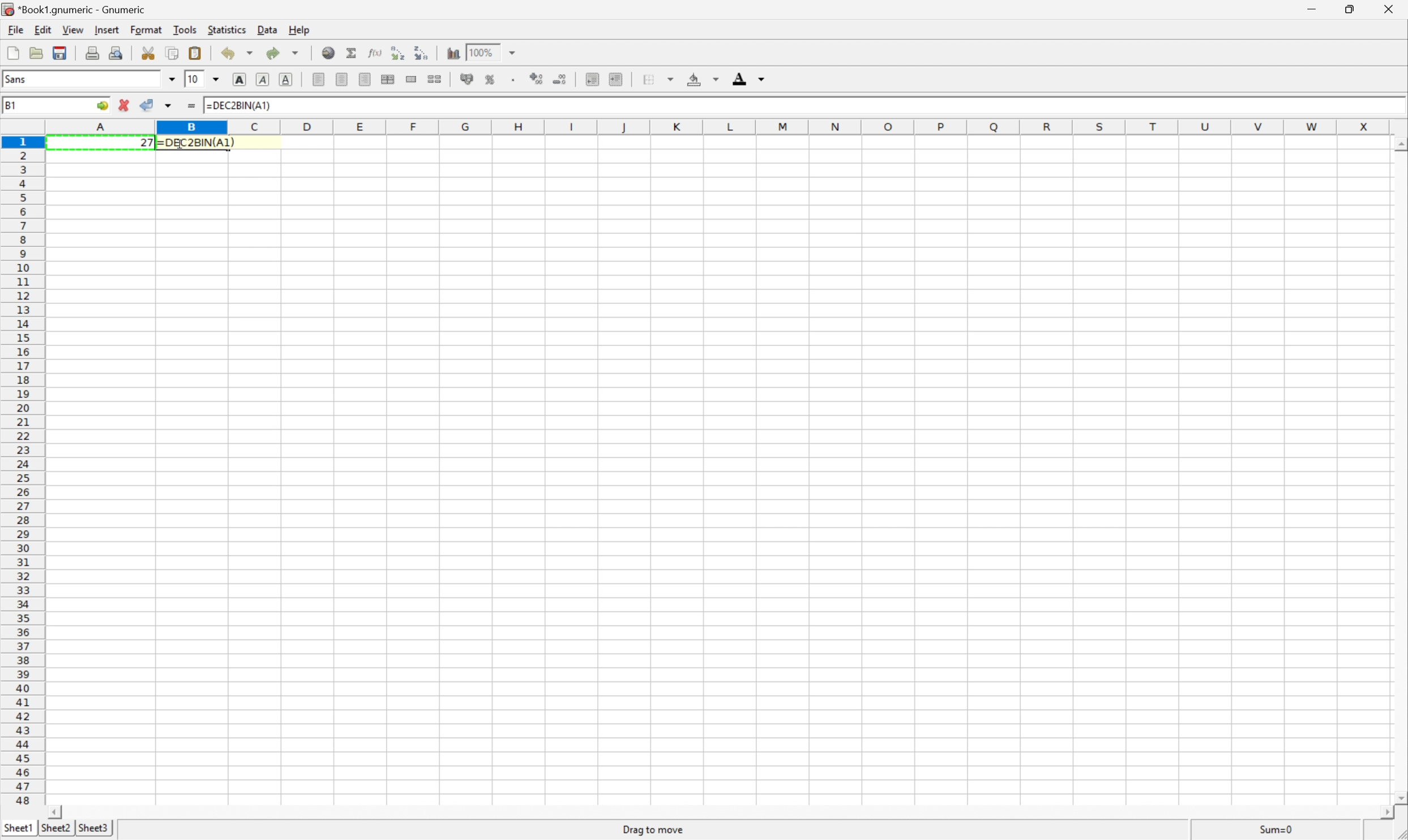 This screenshot has height=840, width=1408. I want to click on Merge a range of cells, so click(409, 80).